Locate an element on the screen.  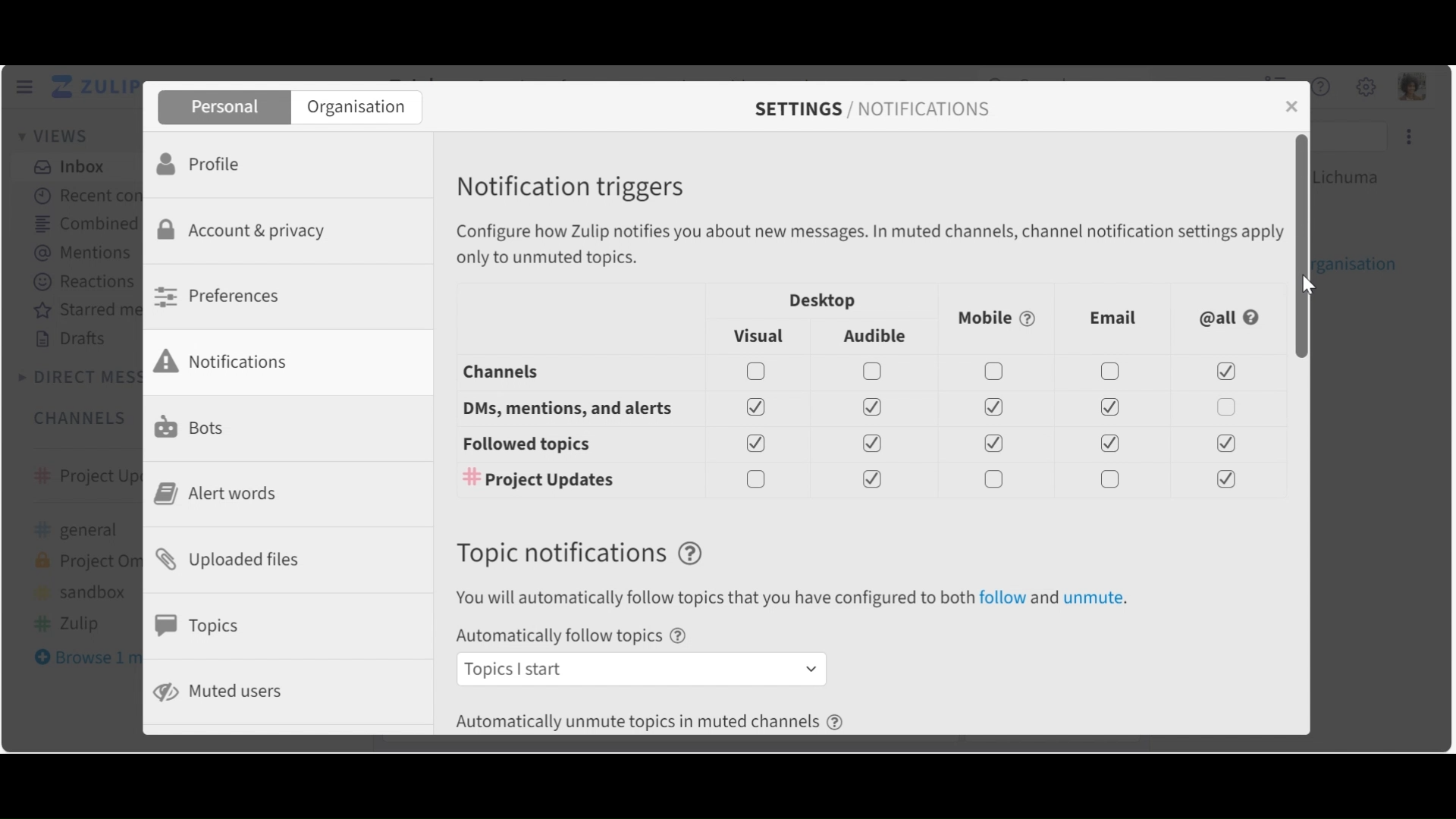
Audible is located at coordinates (877, 337).